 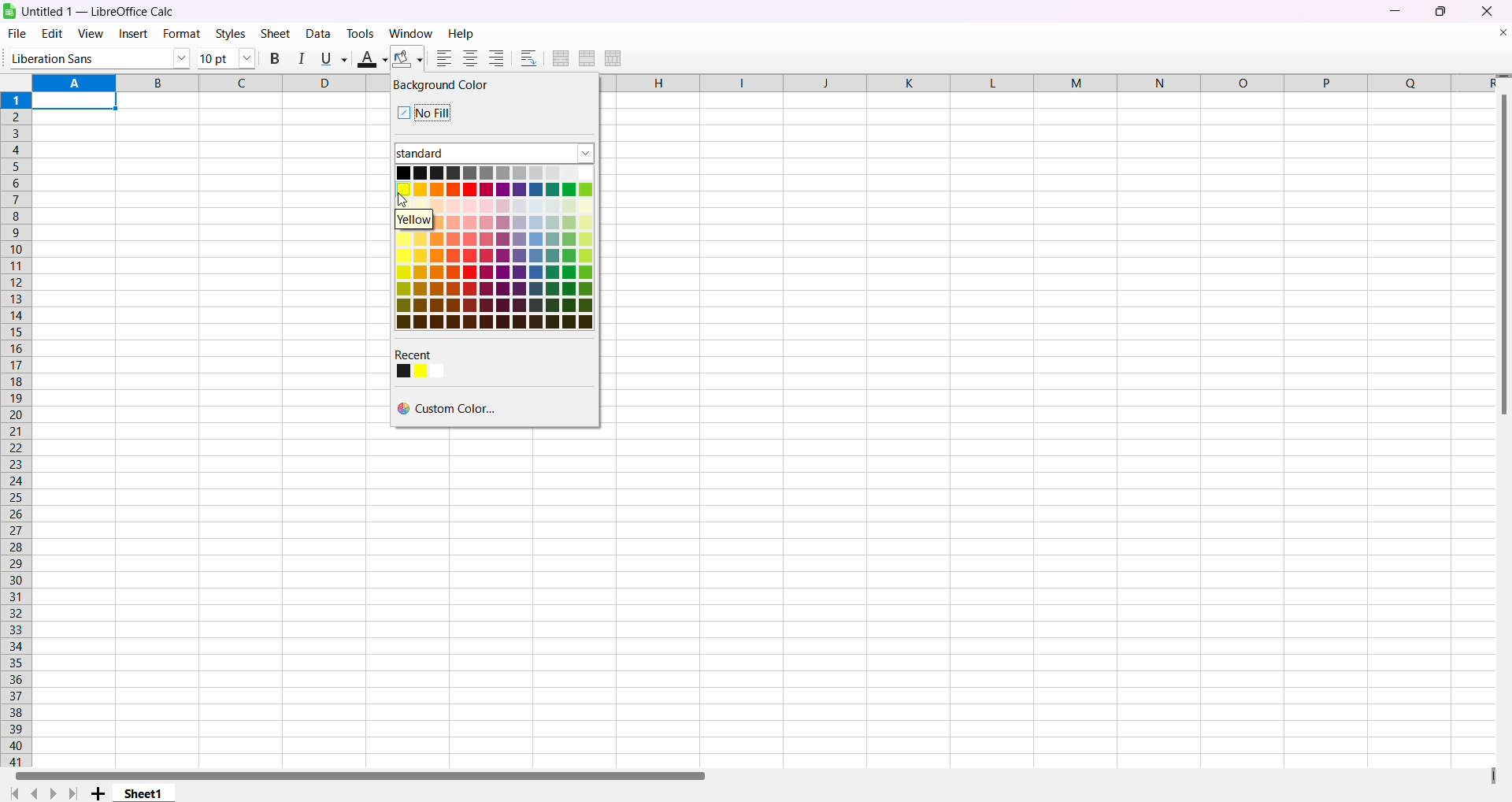 I want to click on text color, so click(x=367, y=58).